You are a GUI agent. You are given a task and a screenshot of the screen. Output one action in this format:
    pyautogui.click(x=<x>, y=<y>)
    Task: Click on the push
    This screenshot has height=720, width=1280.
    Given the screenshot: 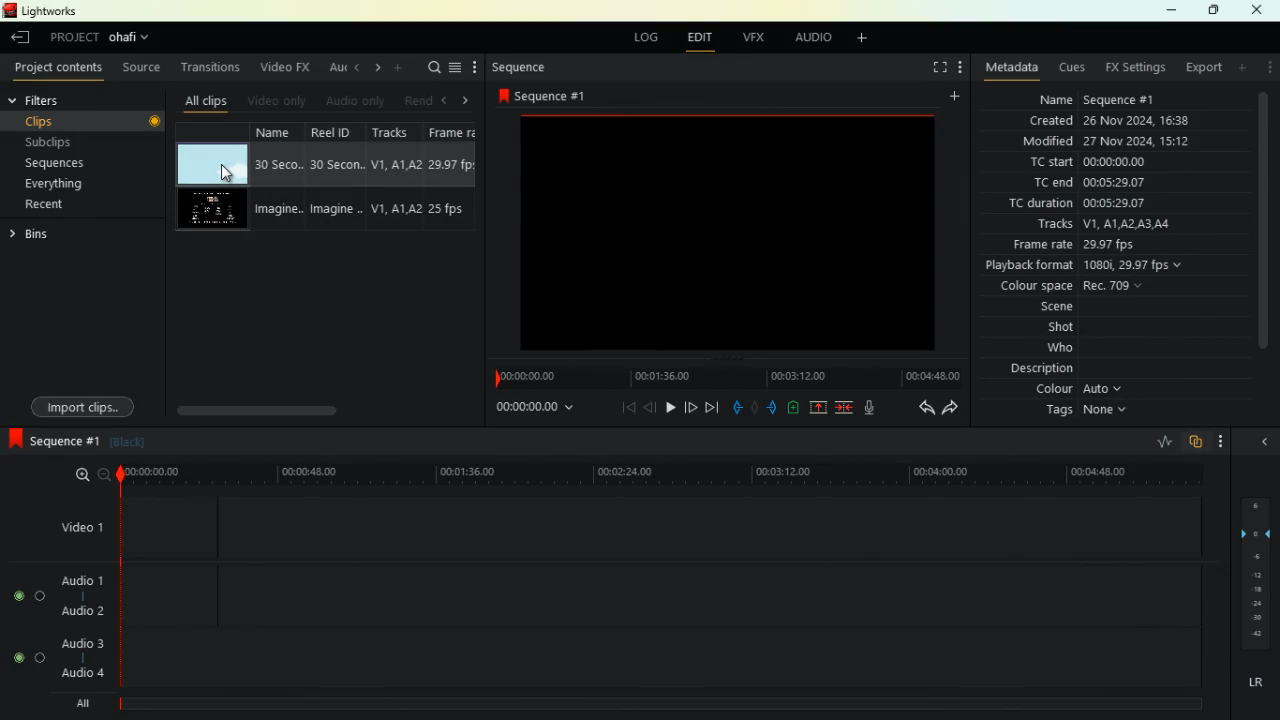 What is the action you would take?
    pyautogui.click(x=772, y=409)
    